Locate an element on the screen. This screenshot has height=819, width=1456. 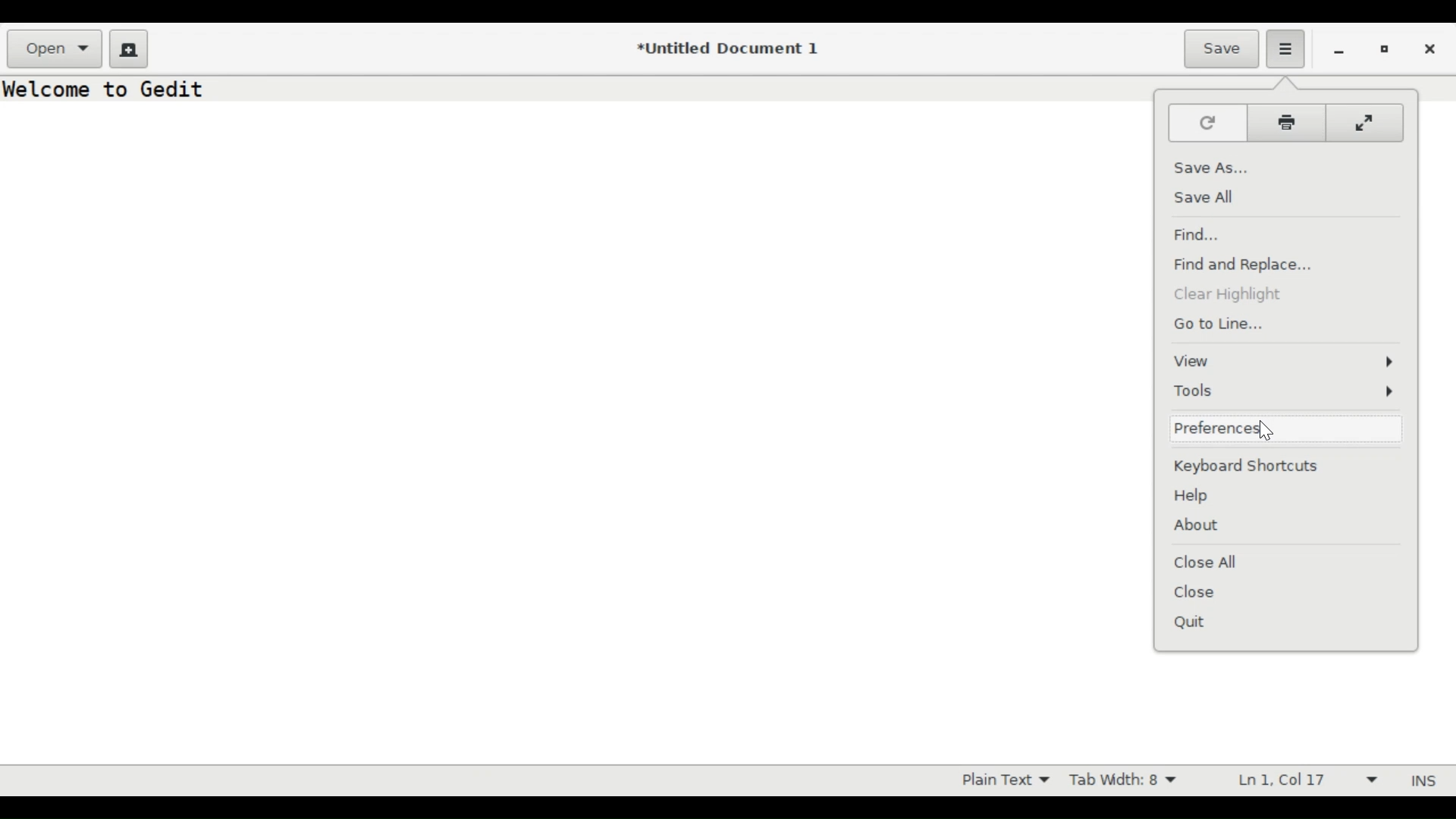
Tools is located at coordinates (1284, 392).